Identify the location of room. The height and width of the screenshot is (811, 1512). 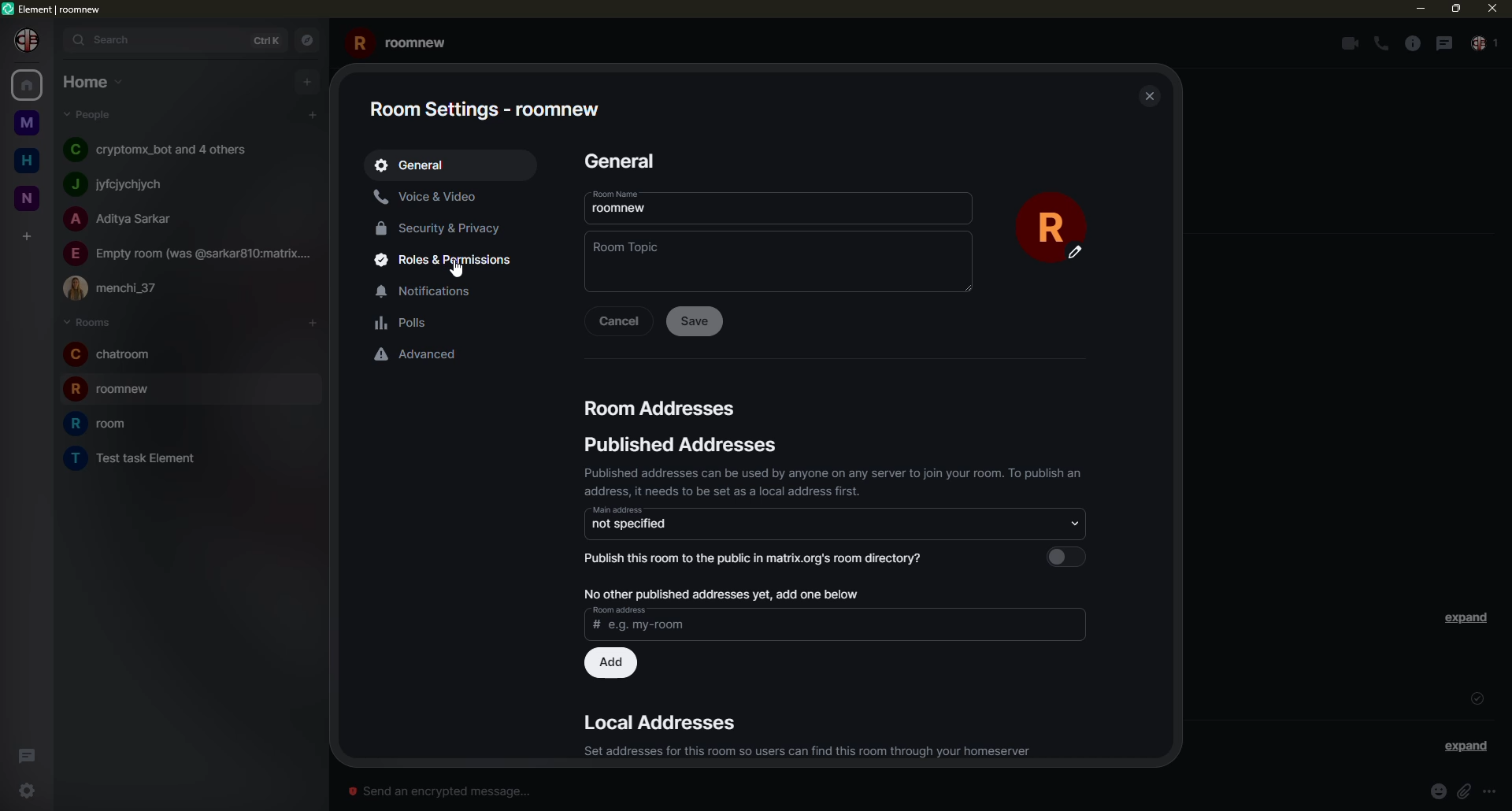
(135, 457).